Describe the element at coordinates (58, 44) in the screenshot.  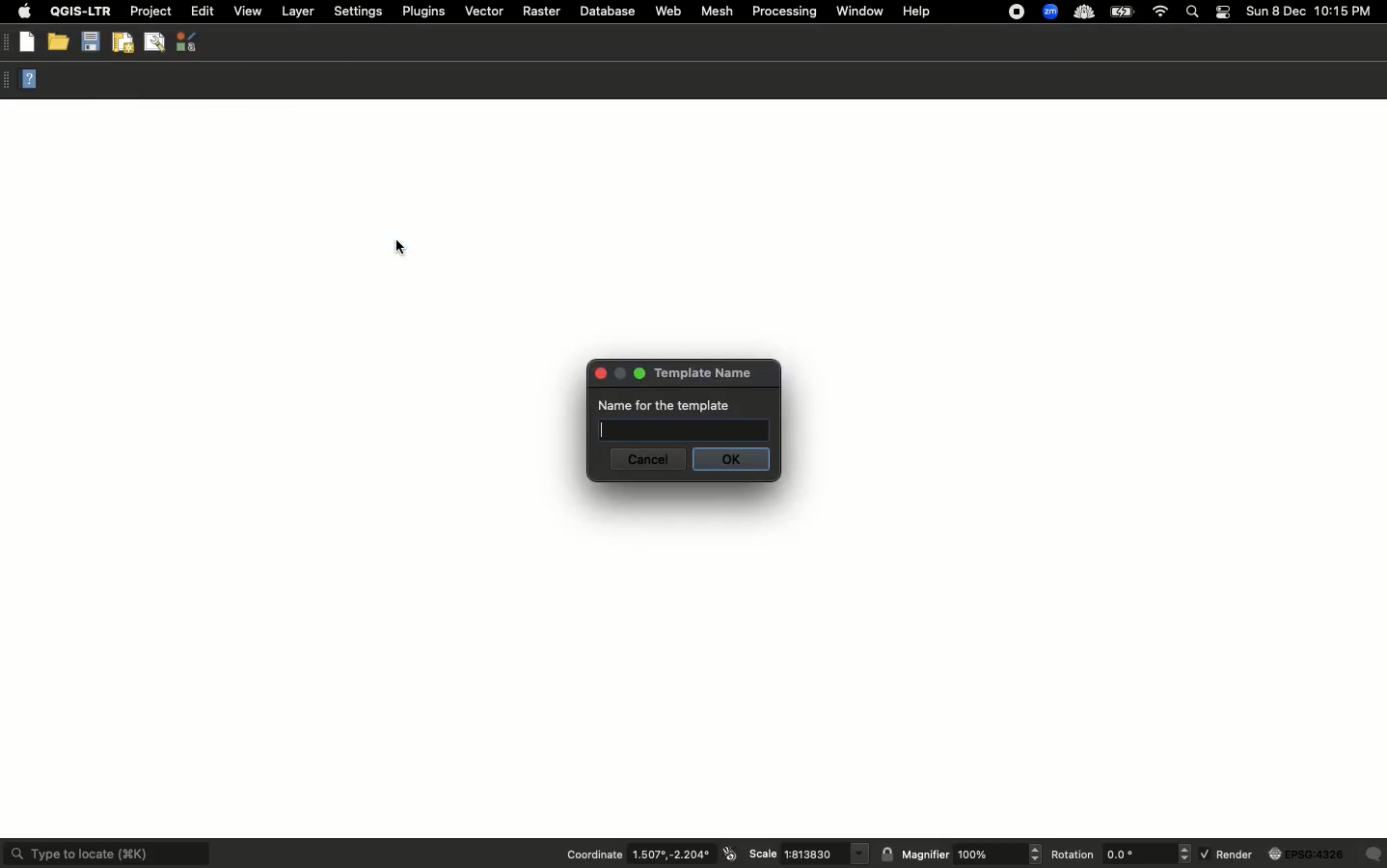
I see `Open` at that location.